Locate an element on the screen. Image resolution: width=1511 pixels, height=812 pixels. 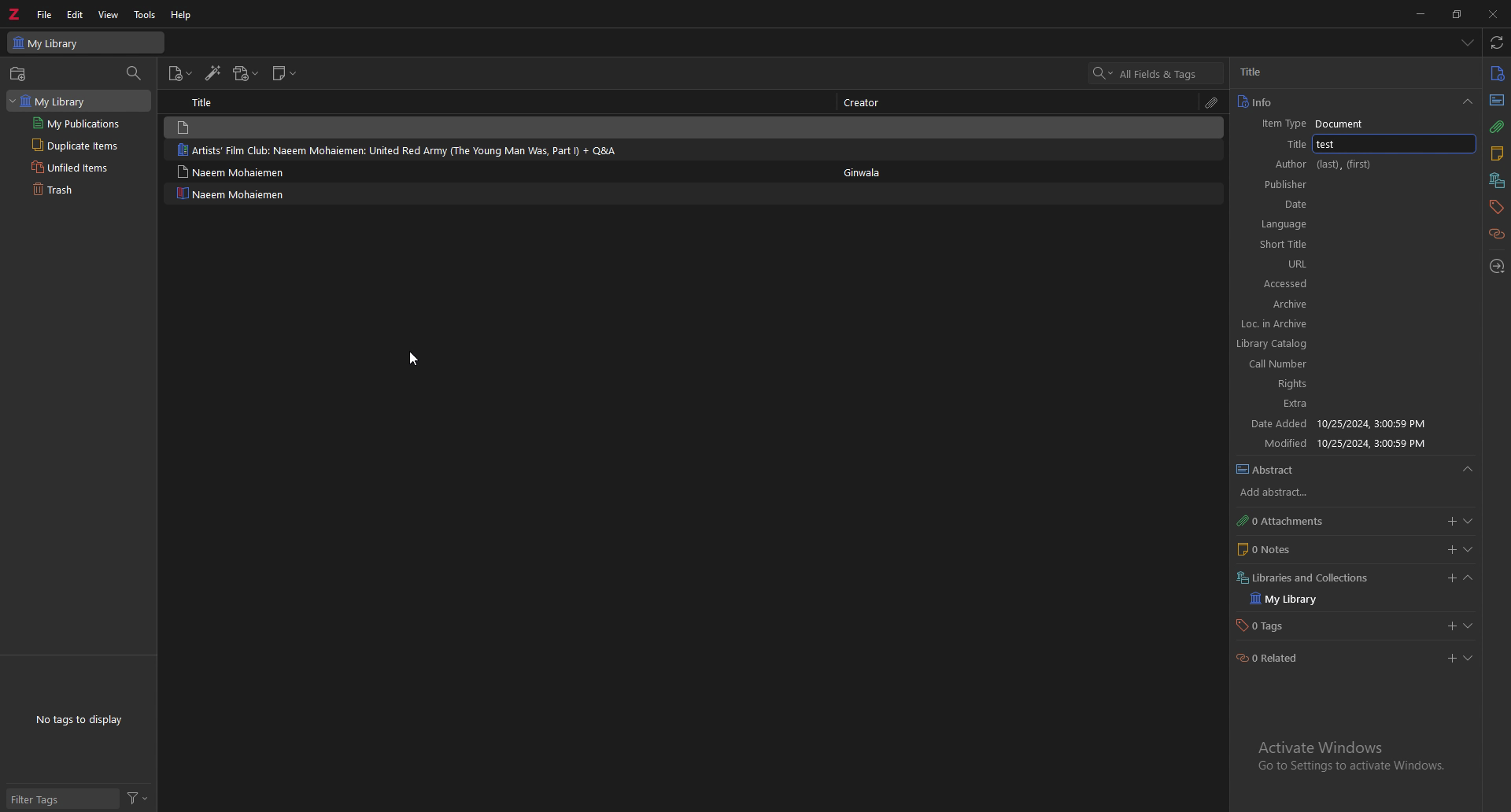
pages is located at coordinates (1277, 364).